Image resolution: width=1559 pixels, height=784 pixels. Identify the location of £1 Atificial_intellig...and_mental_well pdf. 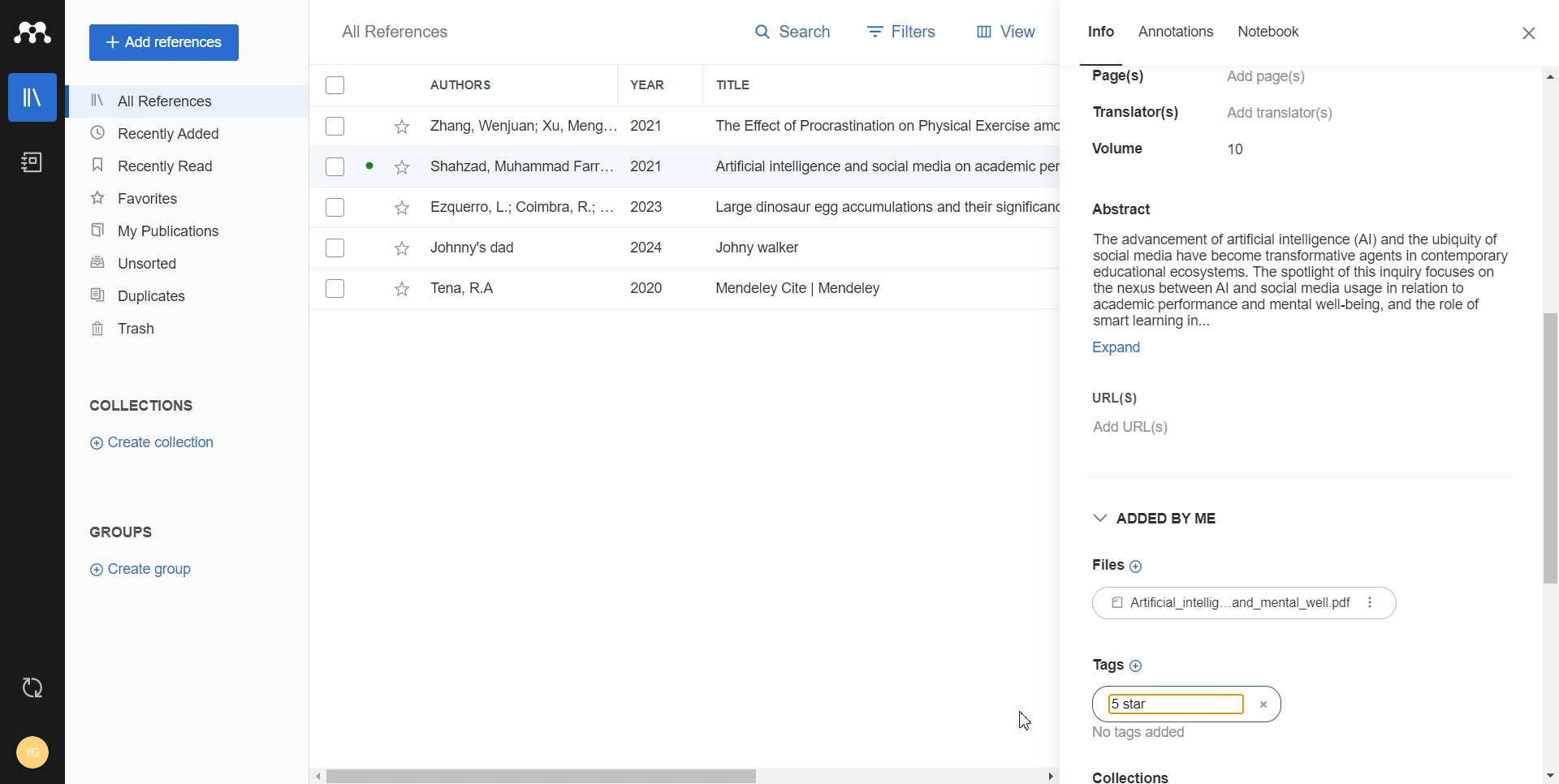
(1251, 603).